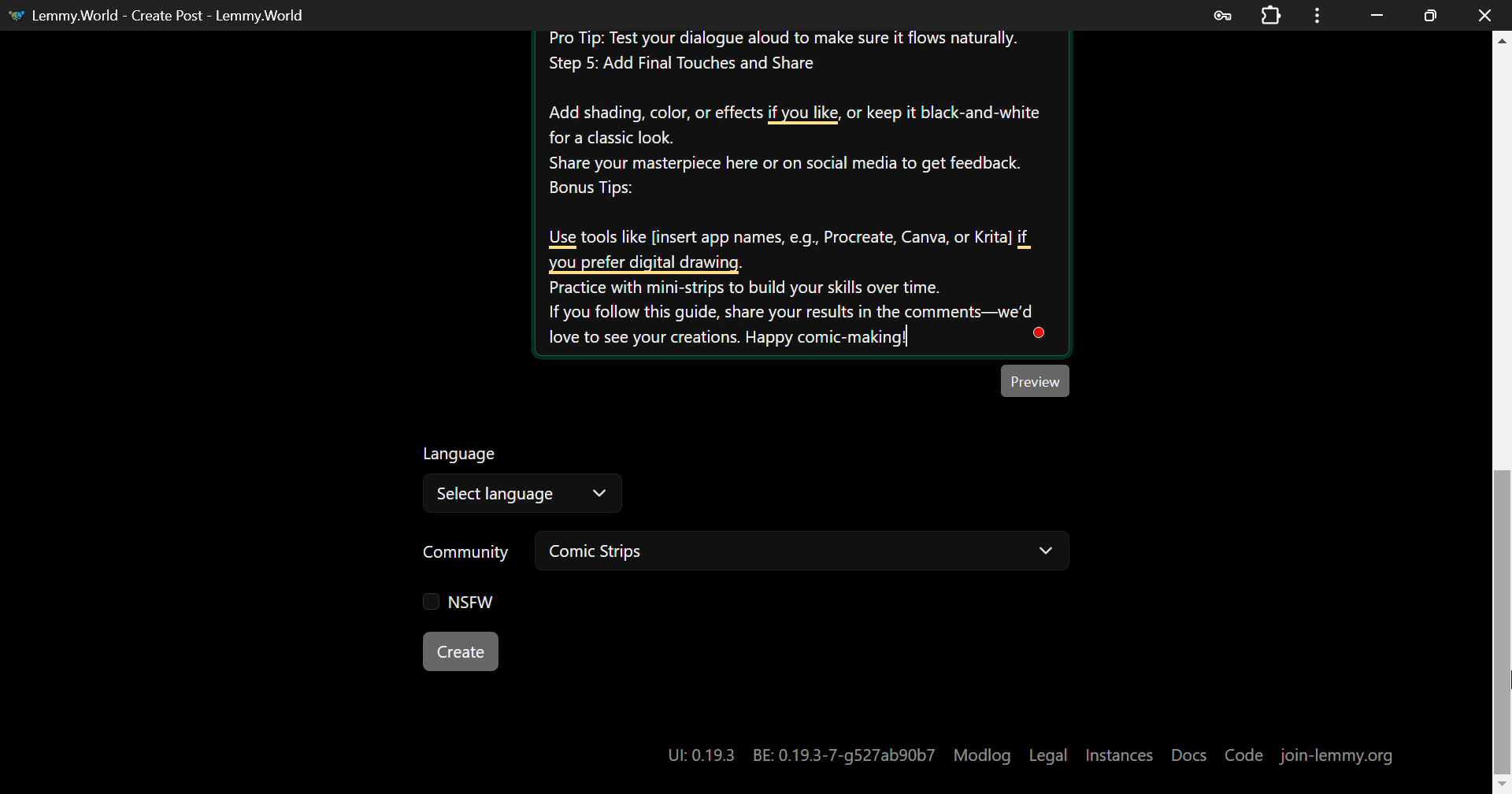 This screenshot has height=794, width=1512. Describe the element at coordinates (1052, 756) in the screenshot. I see `Legal` at that location.